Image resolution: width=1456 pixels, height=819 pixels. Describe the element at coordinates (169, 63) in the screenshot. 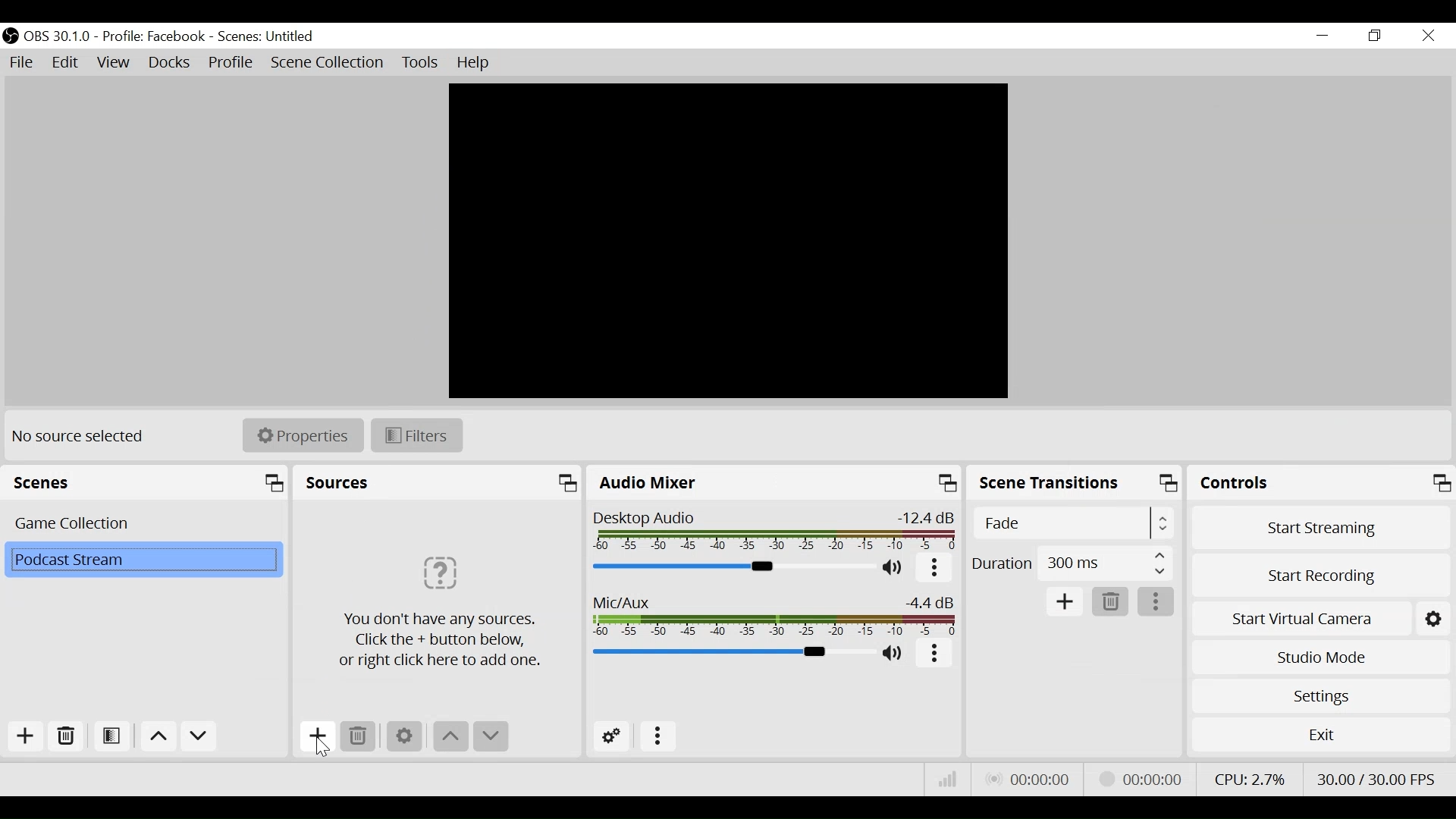

I see `Docks` at that location.